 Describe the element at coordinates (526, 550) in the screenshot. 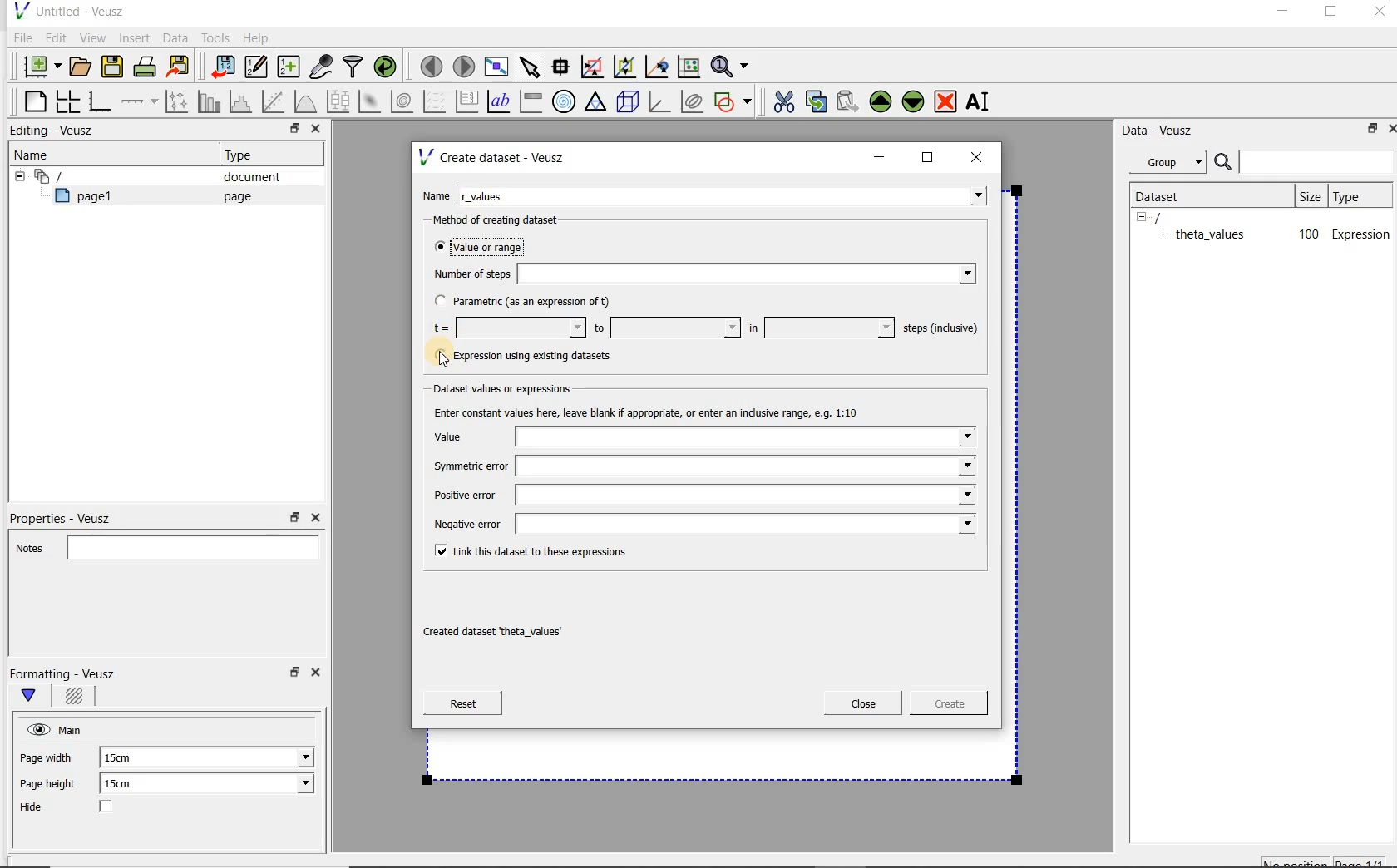

I see `Link this dataset to these expressions` at that location.